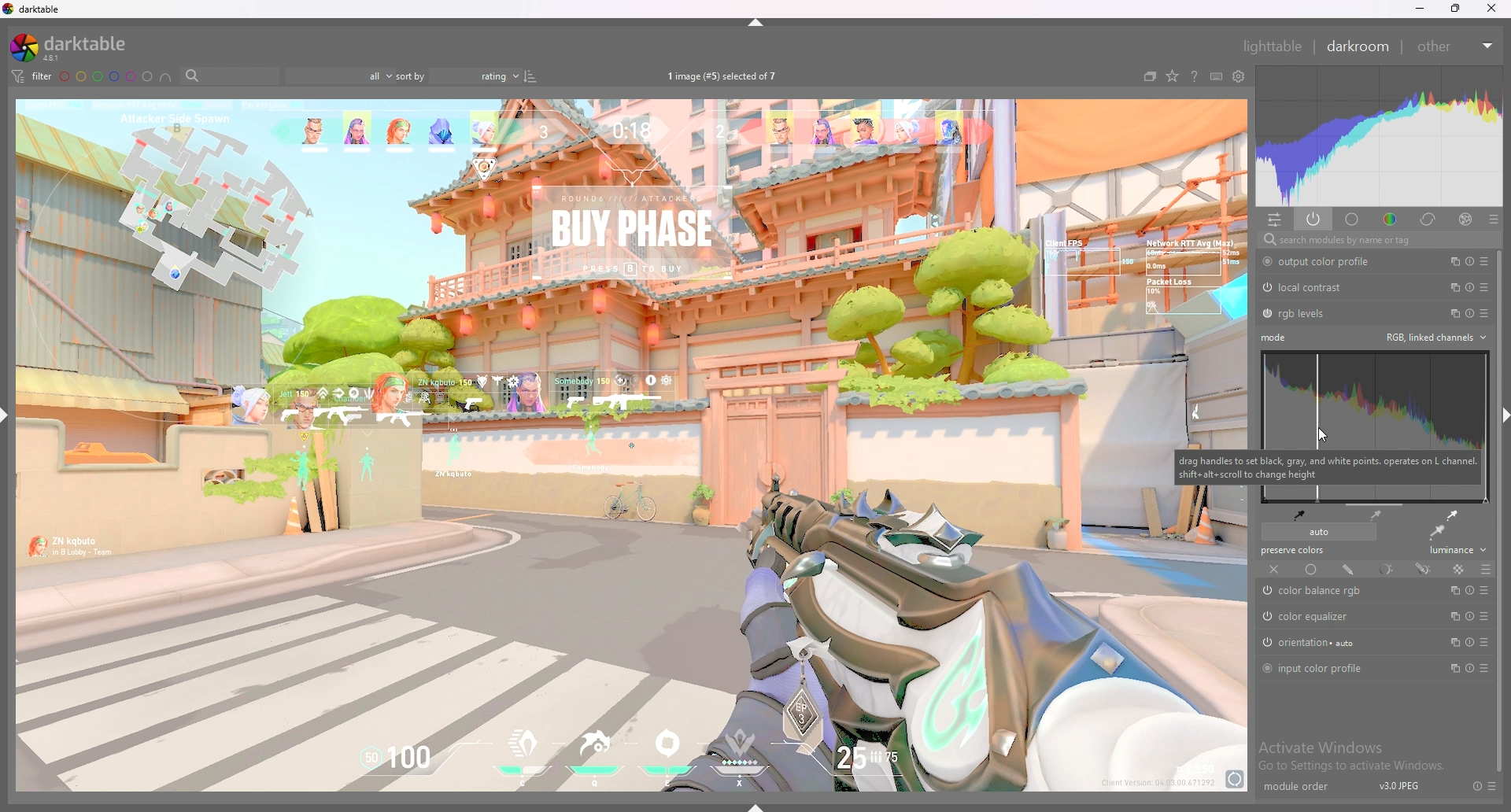 This screenshot has width=1511, height=812. What do you see at coordinates (1378, 135) in the screenshot?
I see `heat map` at bounding box center [1378, 135].